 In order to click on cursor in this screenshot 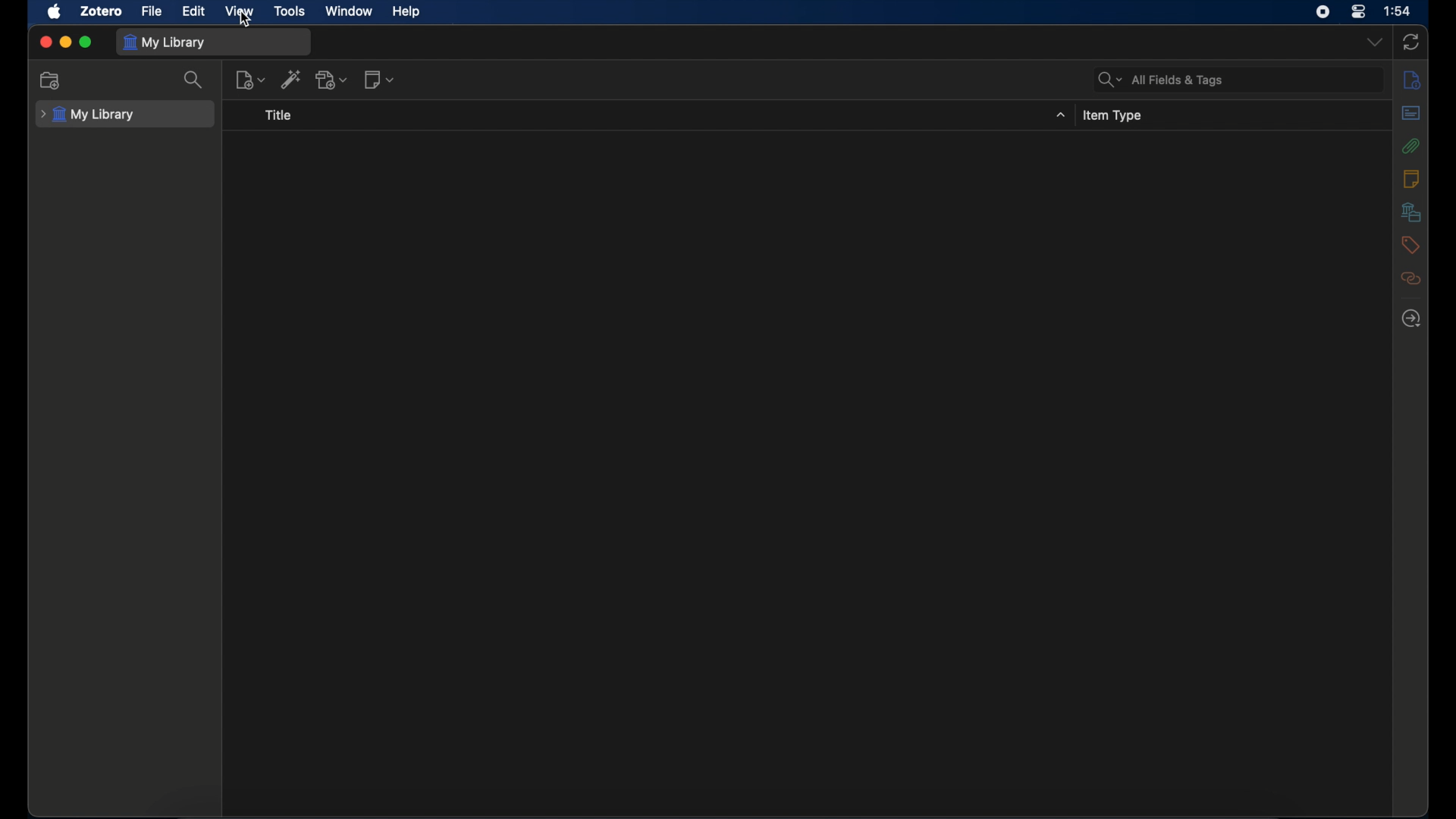, I will do `click(246, 20)`.